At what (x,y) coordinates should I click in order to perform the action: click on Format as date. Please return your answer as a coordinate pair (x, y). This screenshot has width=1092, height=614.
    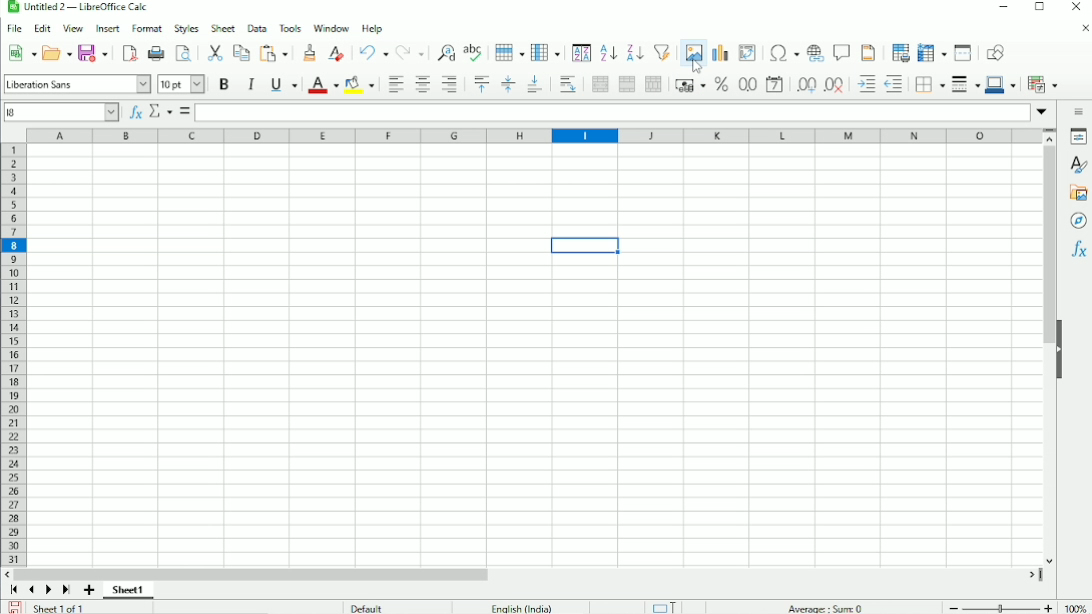
    Looking at the image, I should click on (774, 85).